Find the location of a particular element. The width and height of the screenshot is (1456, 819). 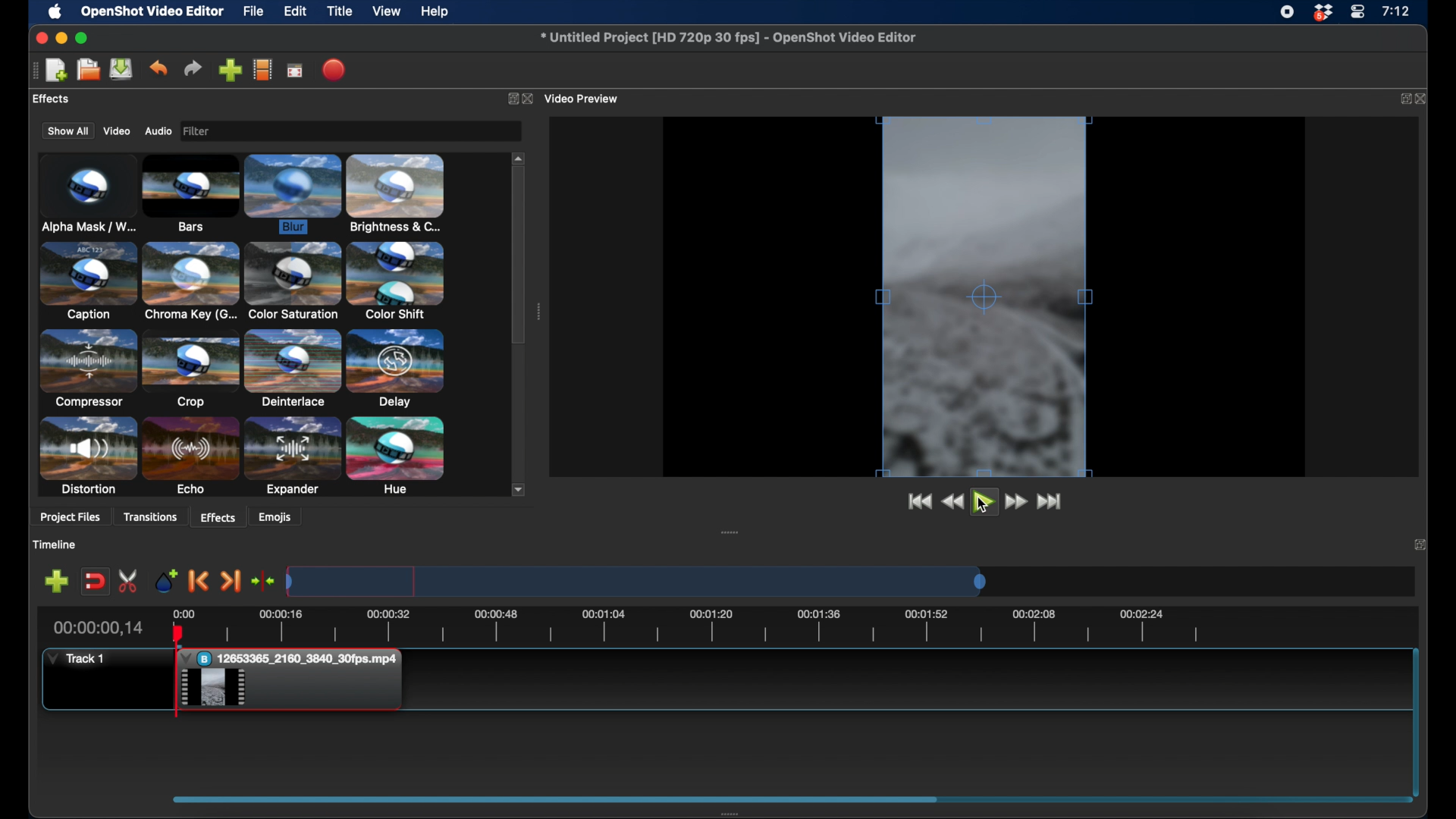

current time indicator is located at coordinates (99, 628).